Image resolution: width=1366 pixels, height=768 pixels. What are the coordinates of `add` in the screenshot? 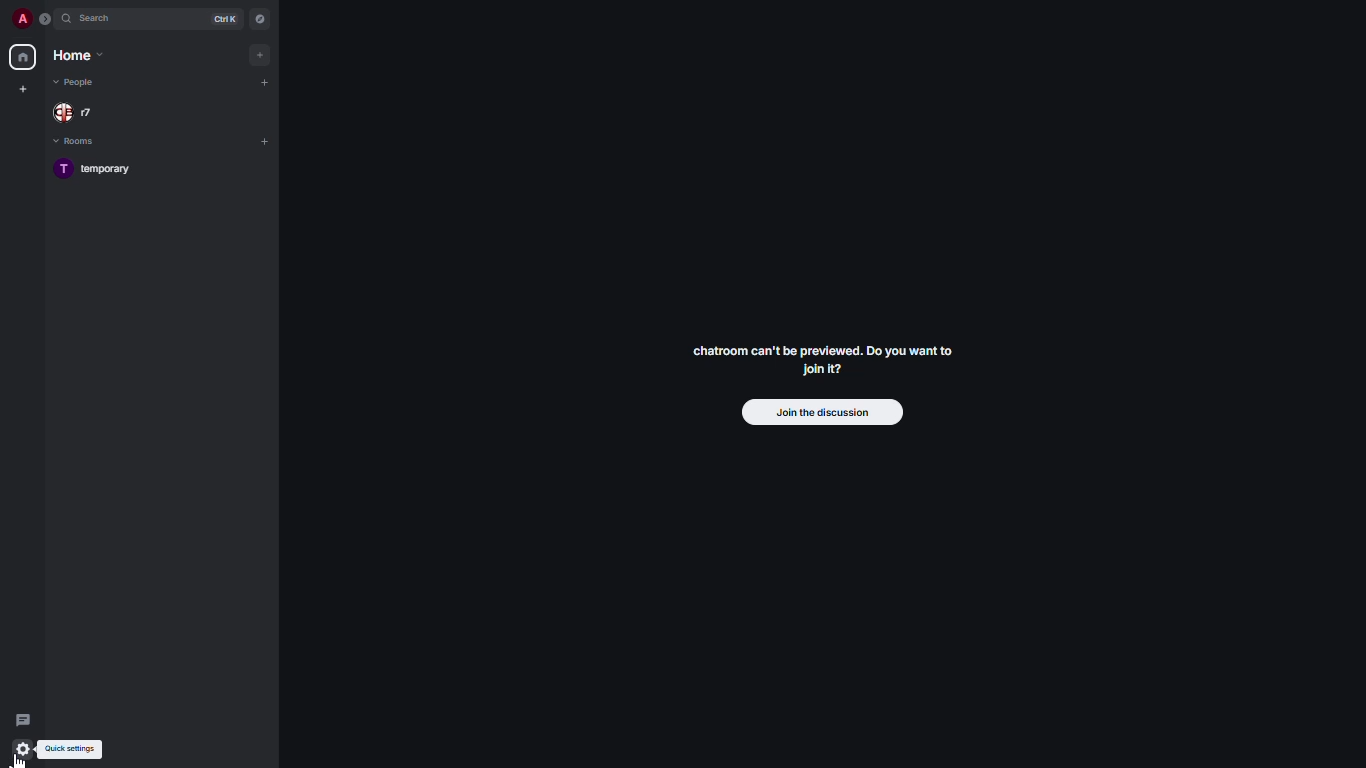 It's located at (267, 139).